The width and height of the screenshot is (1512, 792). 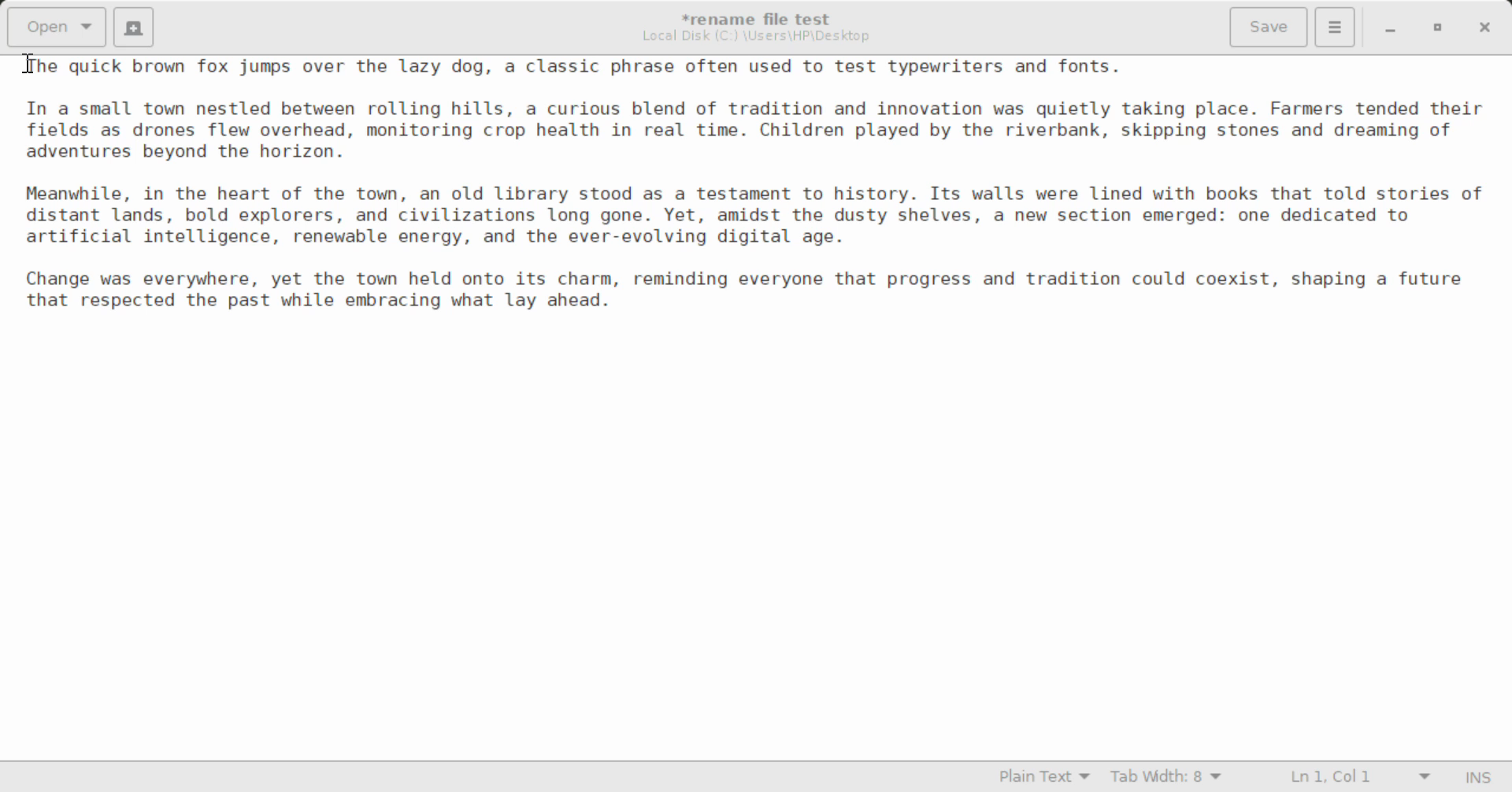 What do you see at coordinates (1170, 775) in the screenshot?
I see `Tab Width` at bounding box center [1170, 775].